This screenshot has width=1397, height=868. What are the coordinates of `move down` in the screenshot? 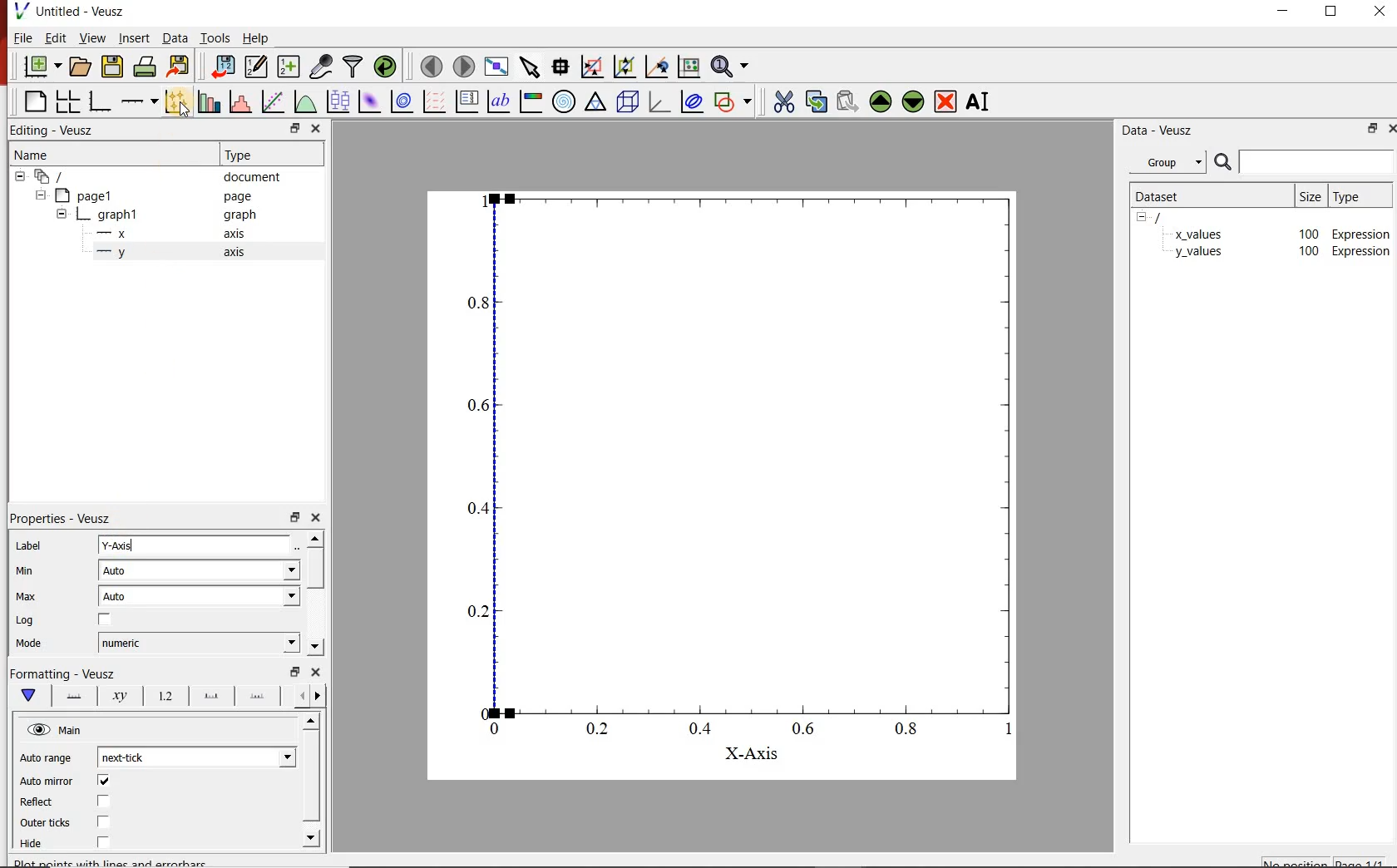 It's located at (314, 646).